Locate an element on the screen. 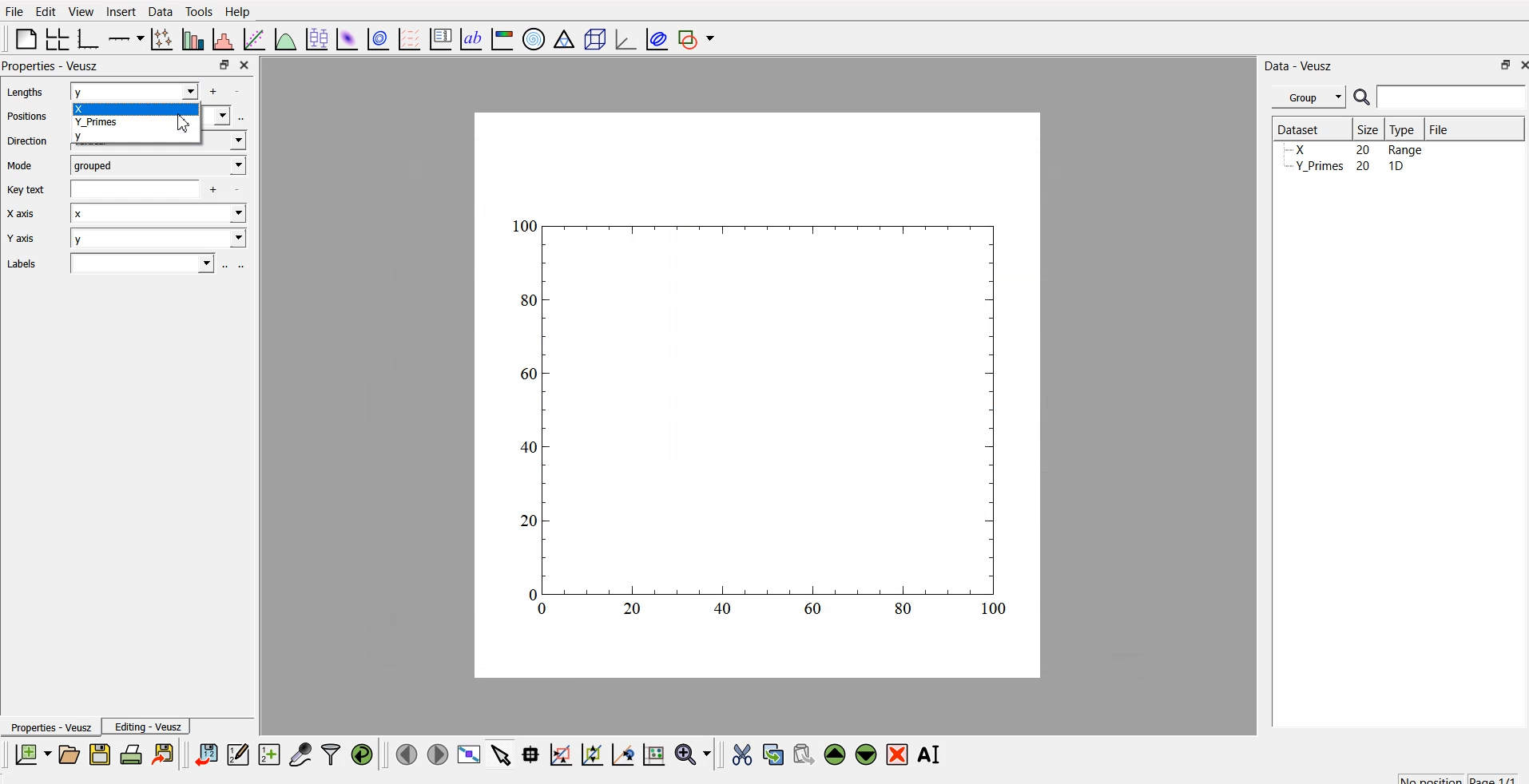  Data is located at coordinates (160, 10).